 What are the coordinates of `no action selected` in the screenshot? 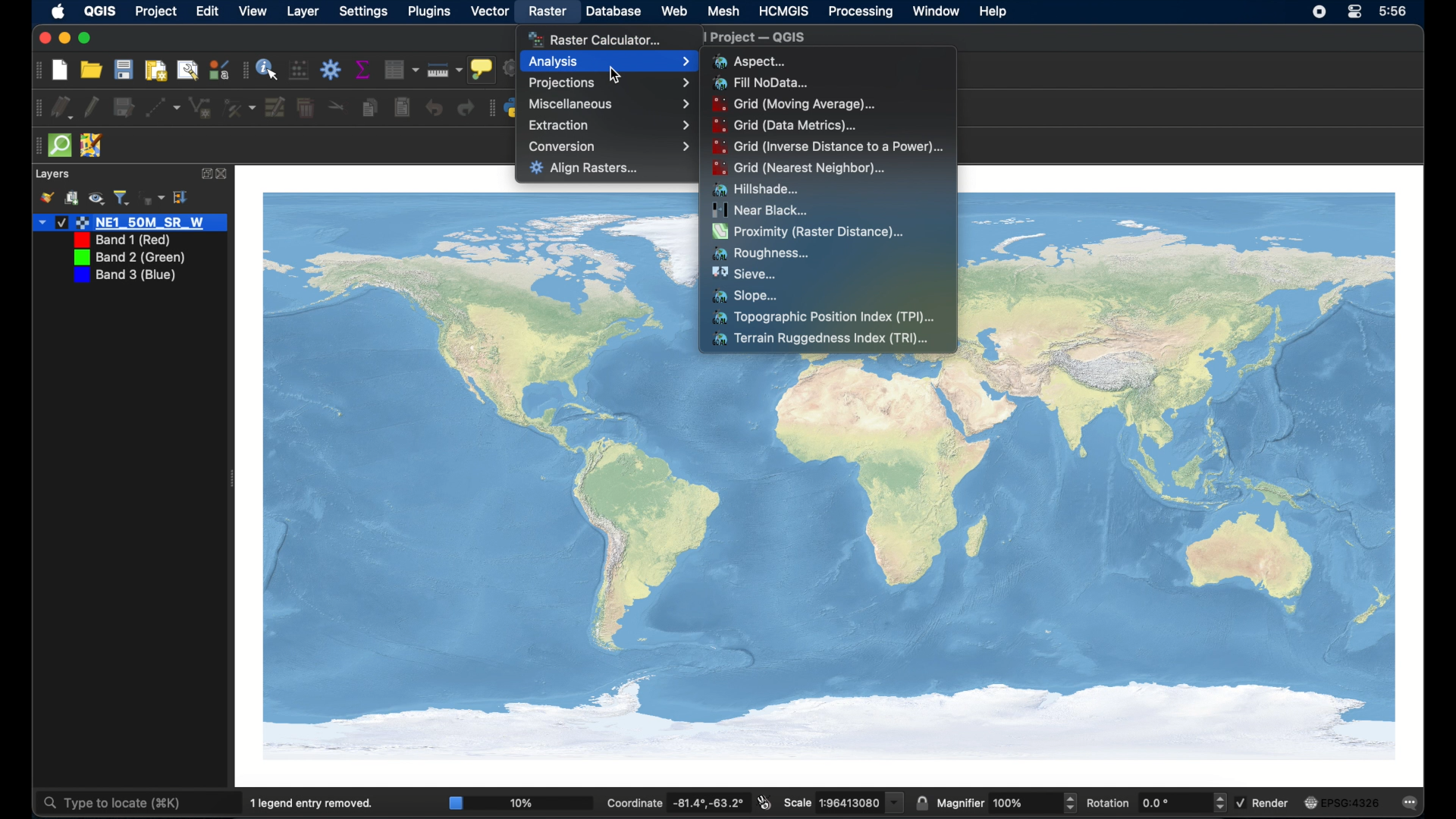 It's located at (505, 70).